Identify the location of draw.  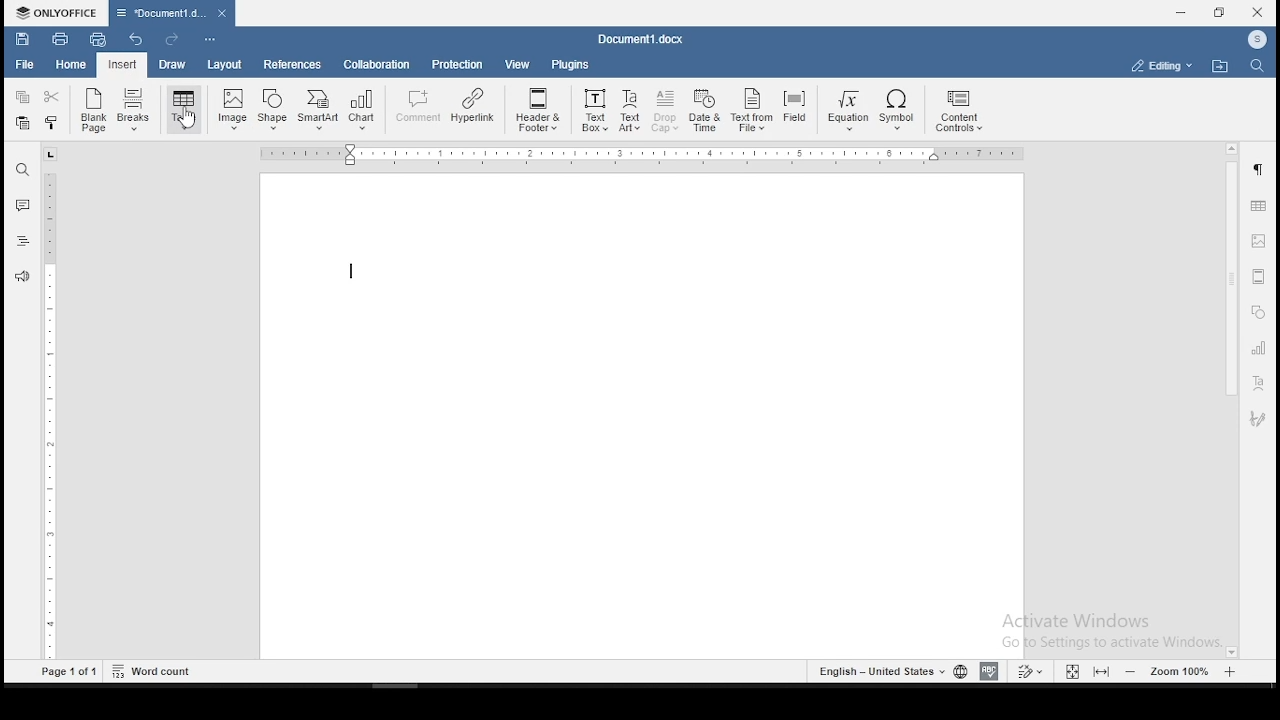
(172, 66).